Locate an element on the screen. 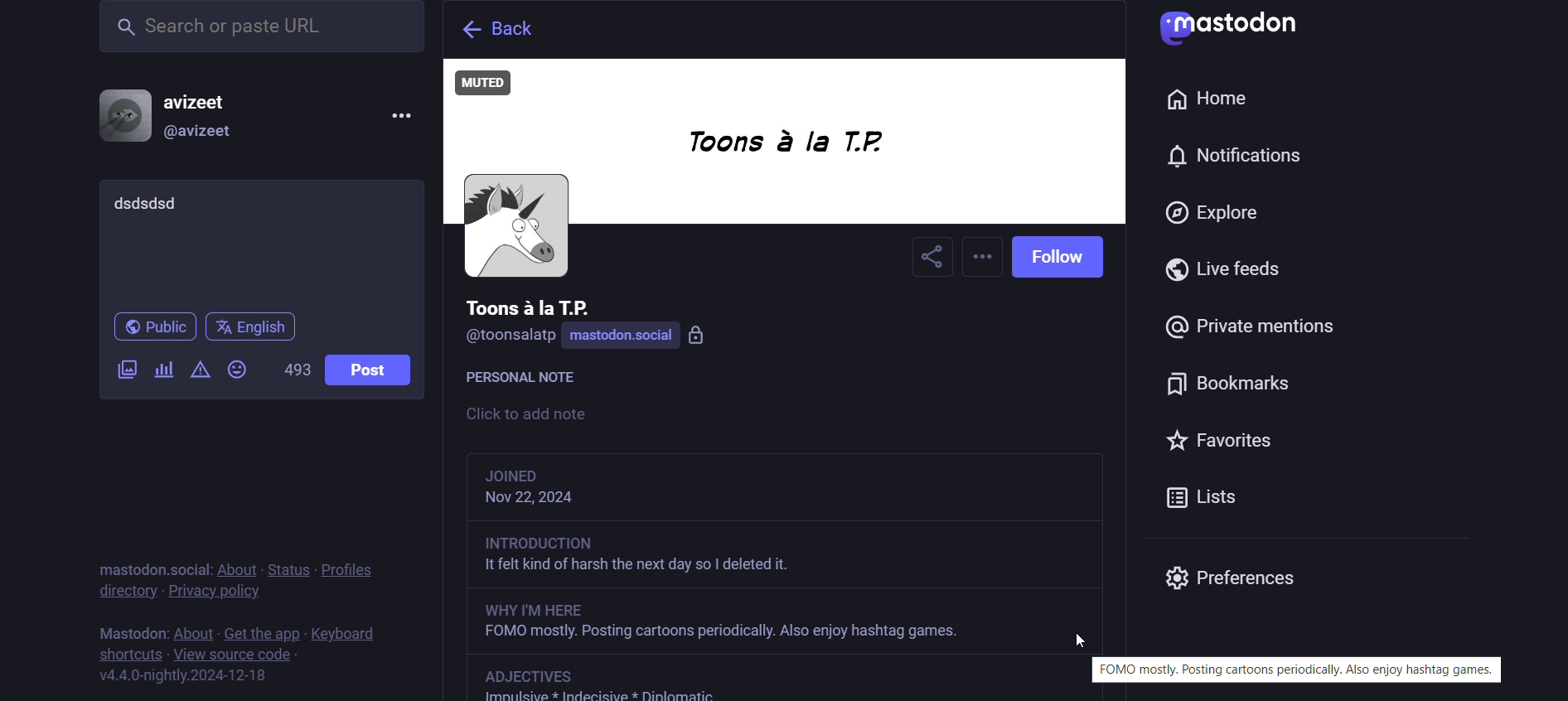 This screenshot has height=701, width=1568. share is located at coordinates (932, 259).